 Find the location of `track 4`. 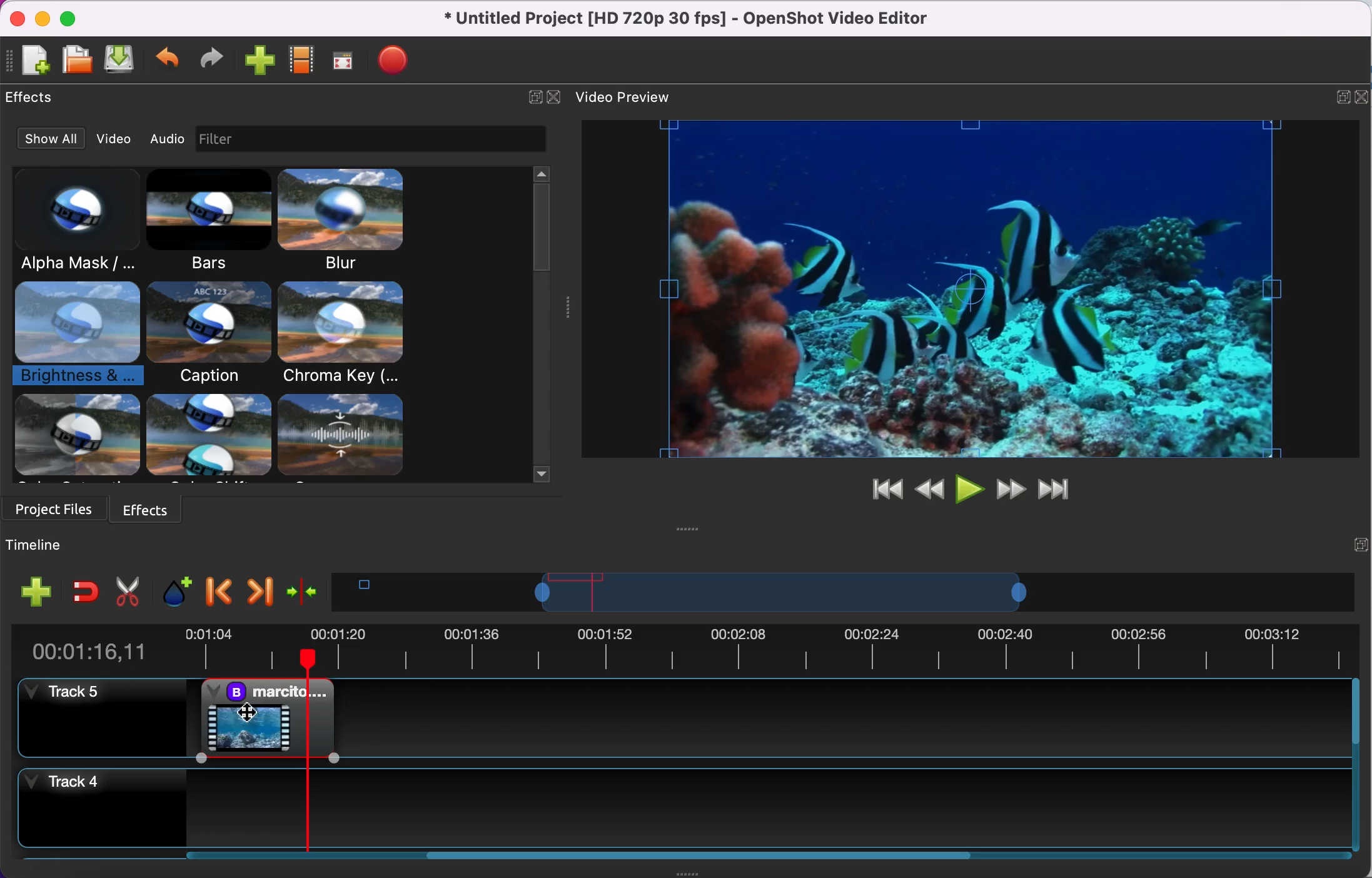

track 4 is located at coordinates (682, 809).